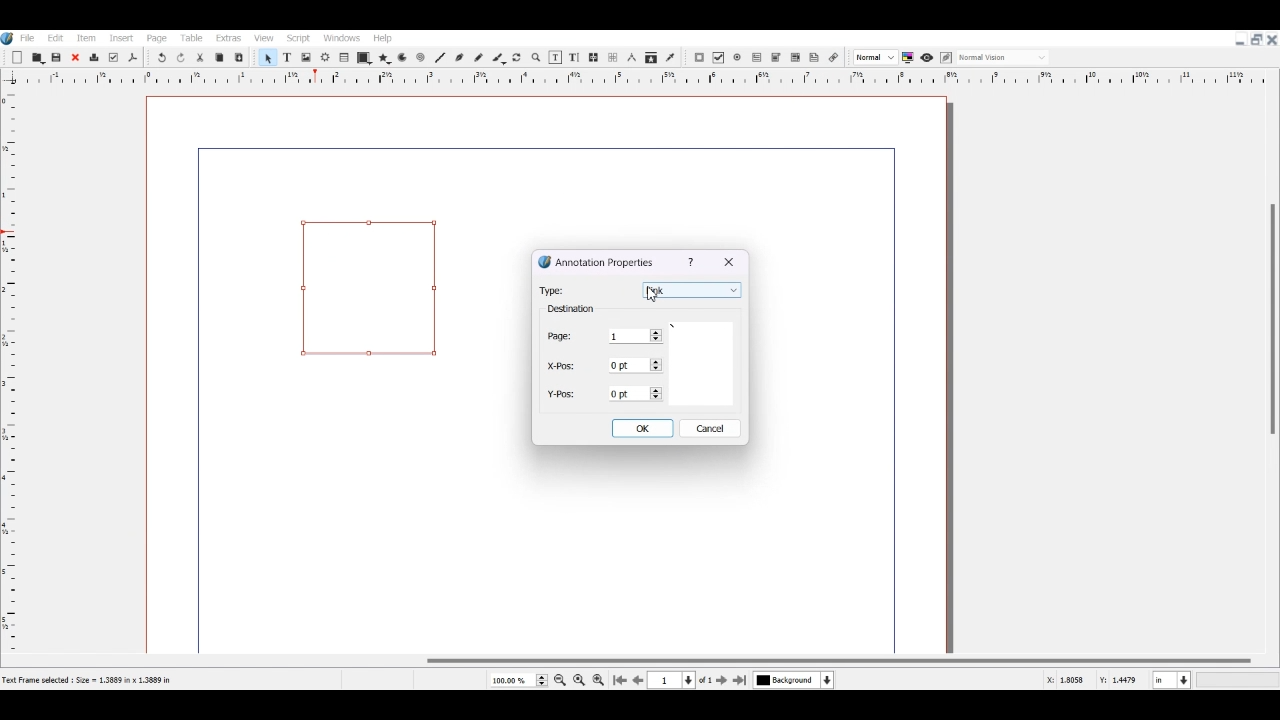 The height and width of the screenshot is (720, 1280). I want to click on Zoom in or out, so click(535, 57).